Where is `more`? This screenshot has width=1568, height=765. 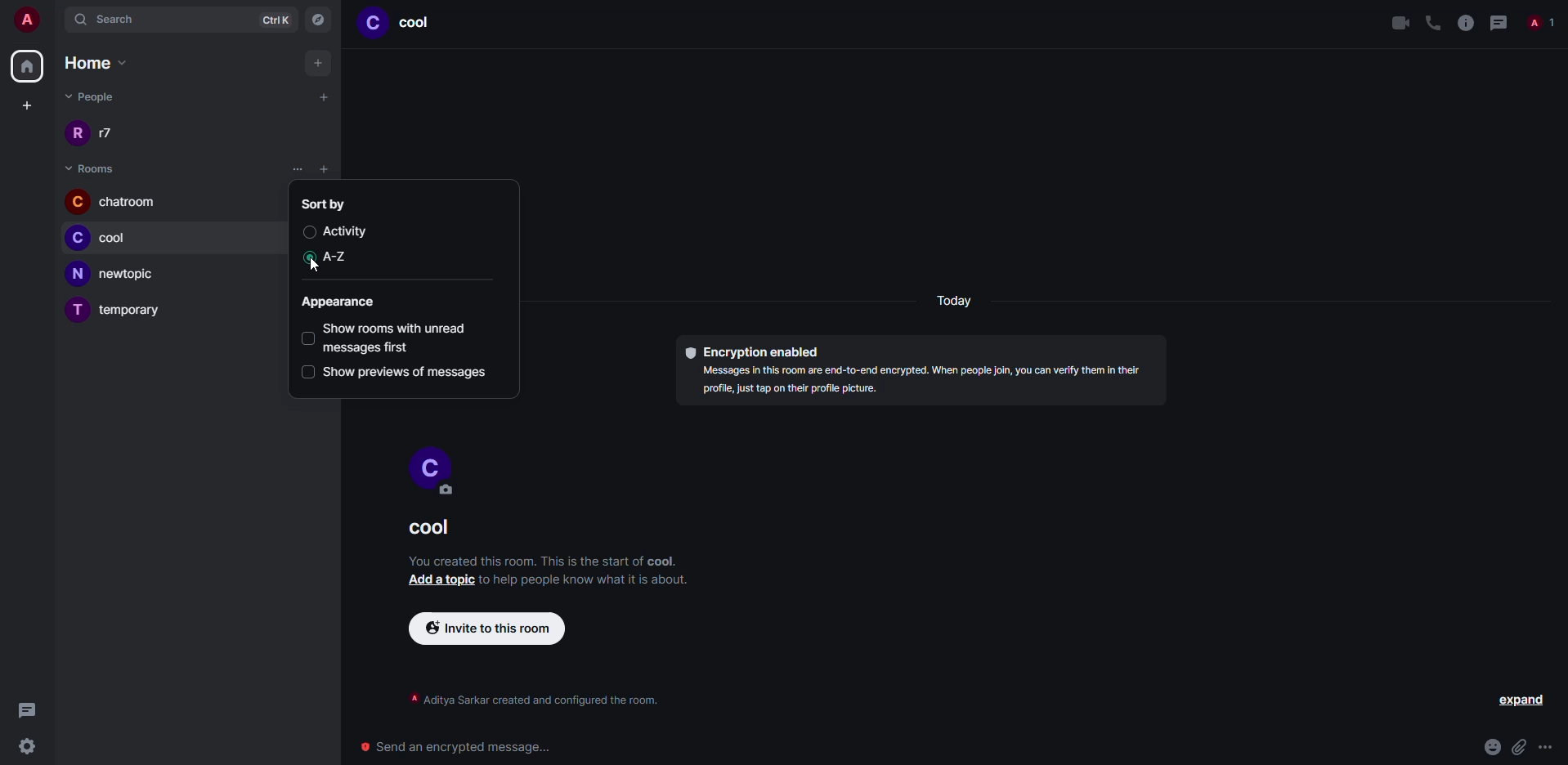
more is located at coordinates (1545, 747).